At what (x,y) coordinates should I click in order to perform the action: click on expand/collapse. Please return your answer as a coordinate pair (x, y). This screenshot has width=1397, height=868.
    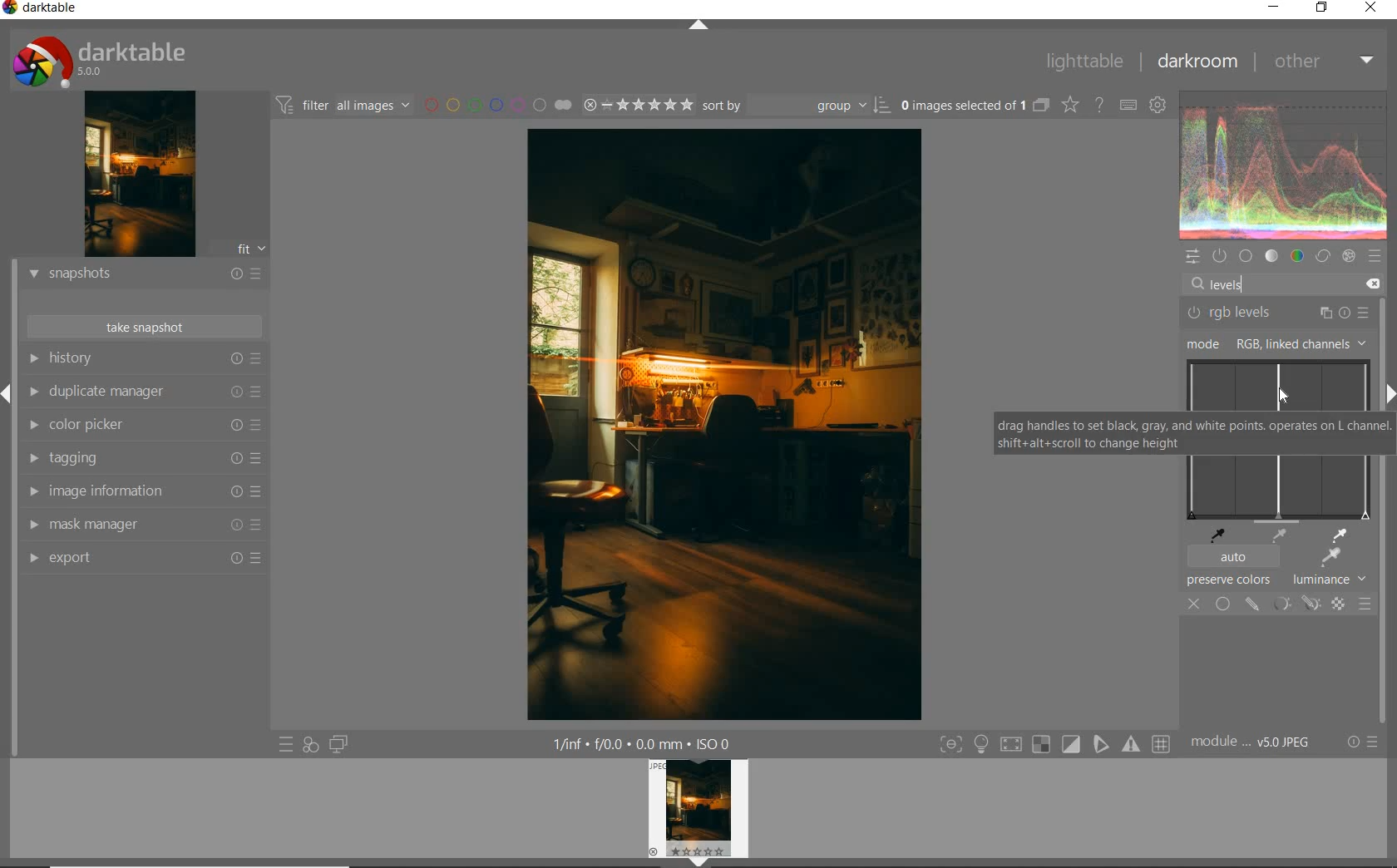
    Looking at the image, I should click on (698, 26).